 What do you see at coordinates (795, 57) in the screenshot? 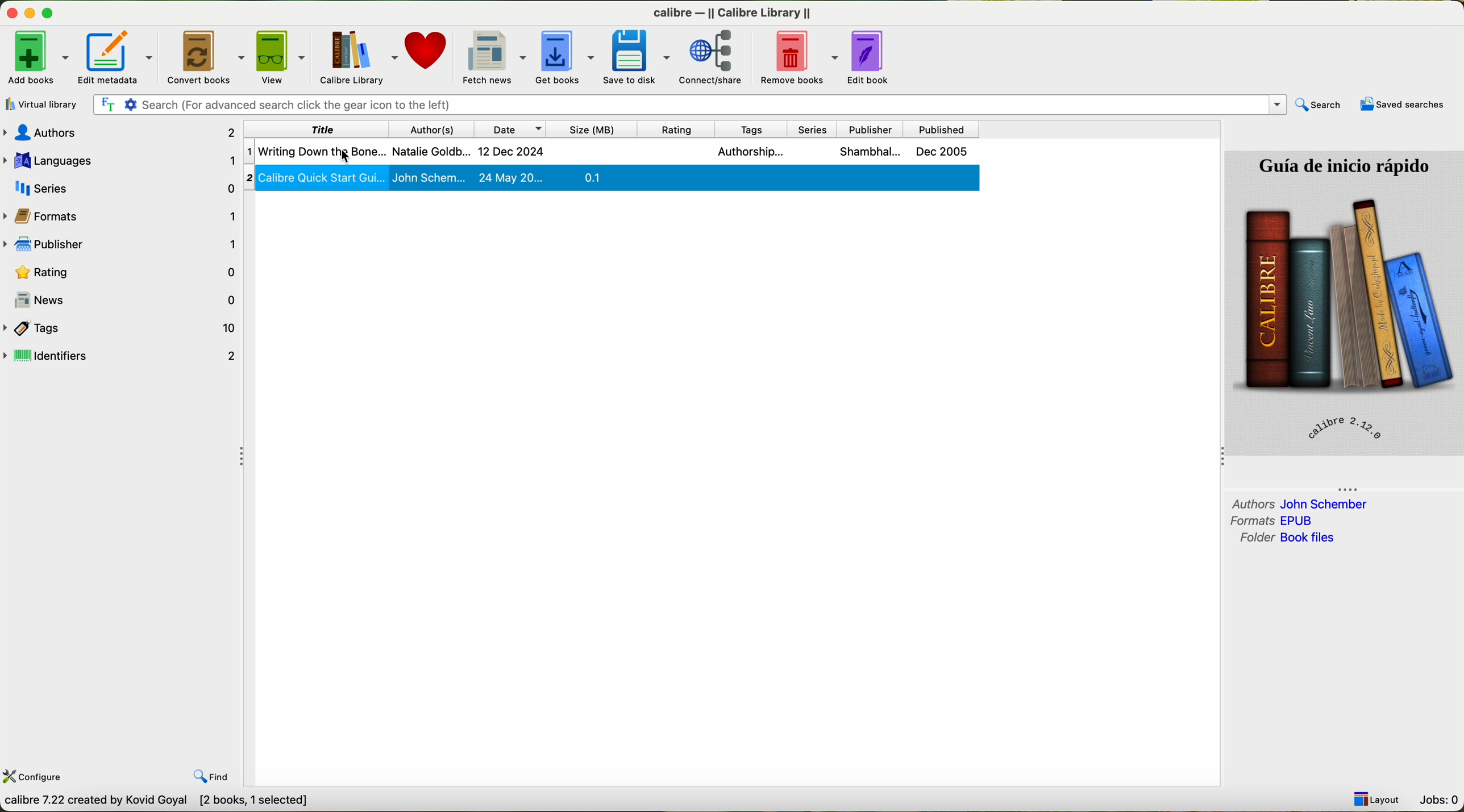
I see `remove books` at bounding box center [795, 57].